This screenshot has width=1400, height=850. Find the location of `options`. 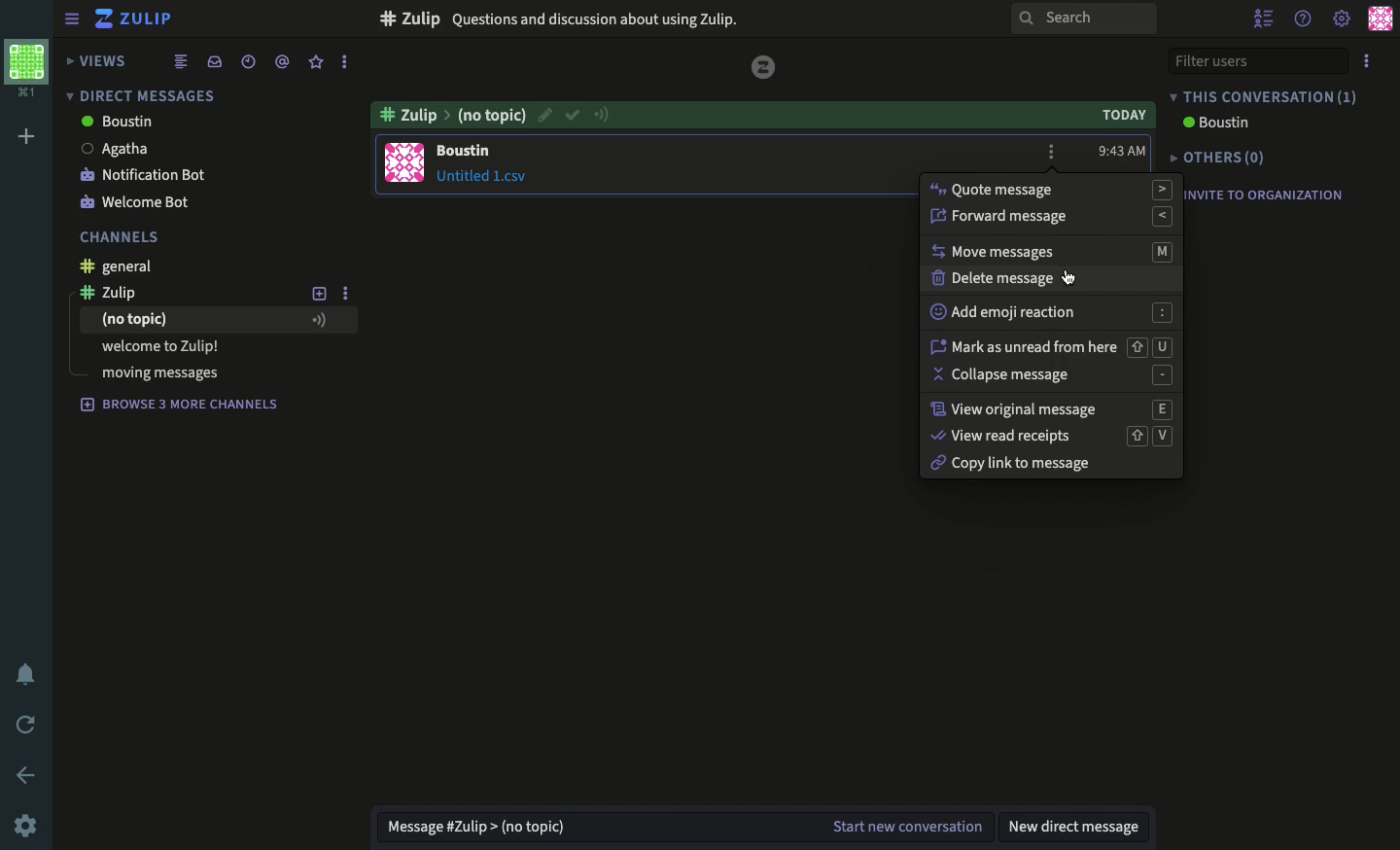

options is located at coordinates (347, 296).